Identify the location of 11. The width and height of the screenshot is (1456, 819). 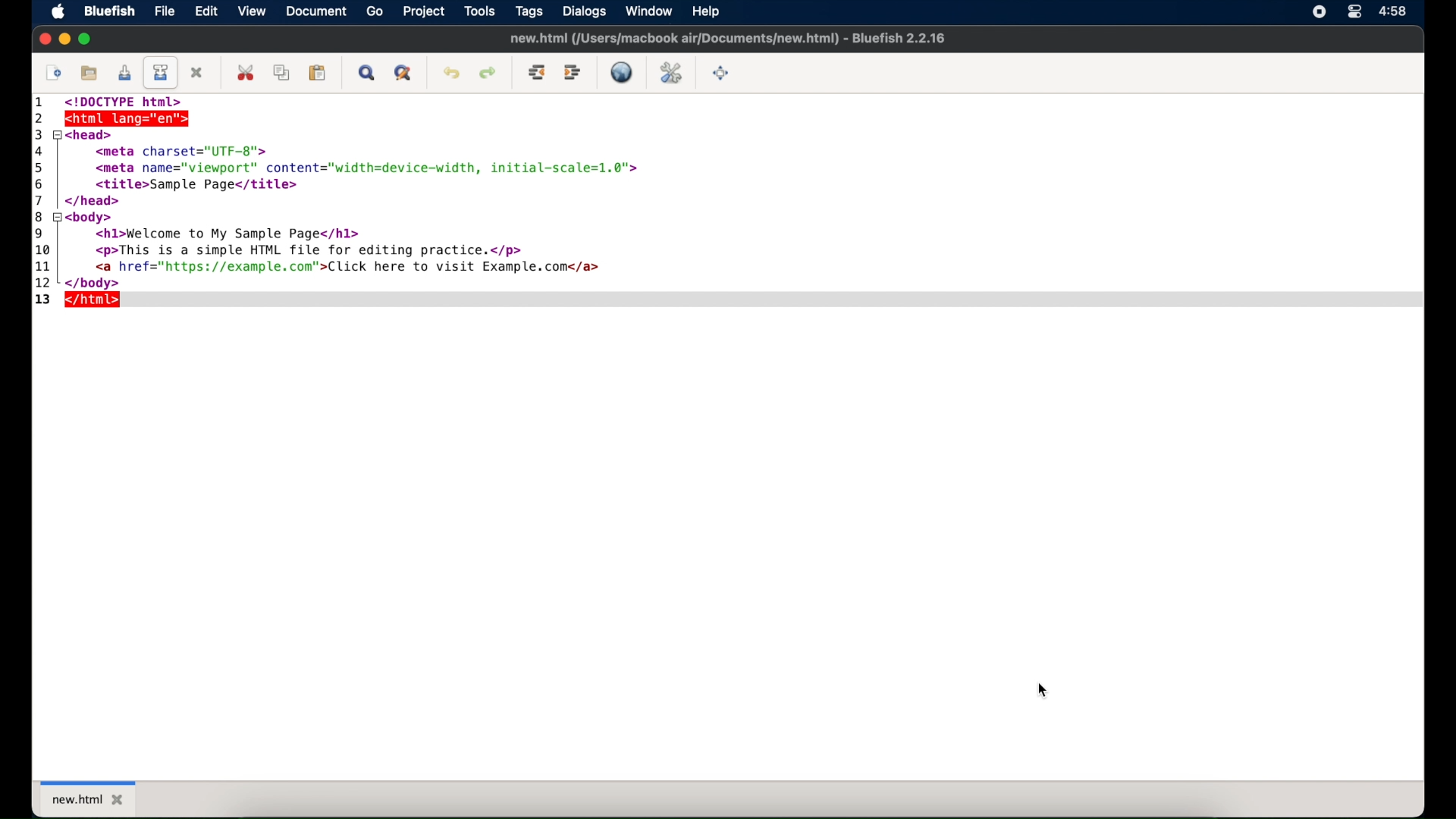
(45, 266).